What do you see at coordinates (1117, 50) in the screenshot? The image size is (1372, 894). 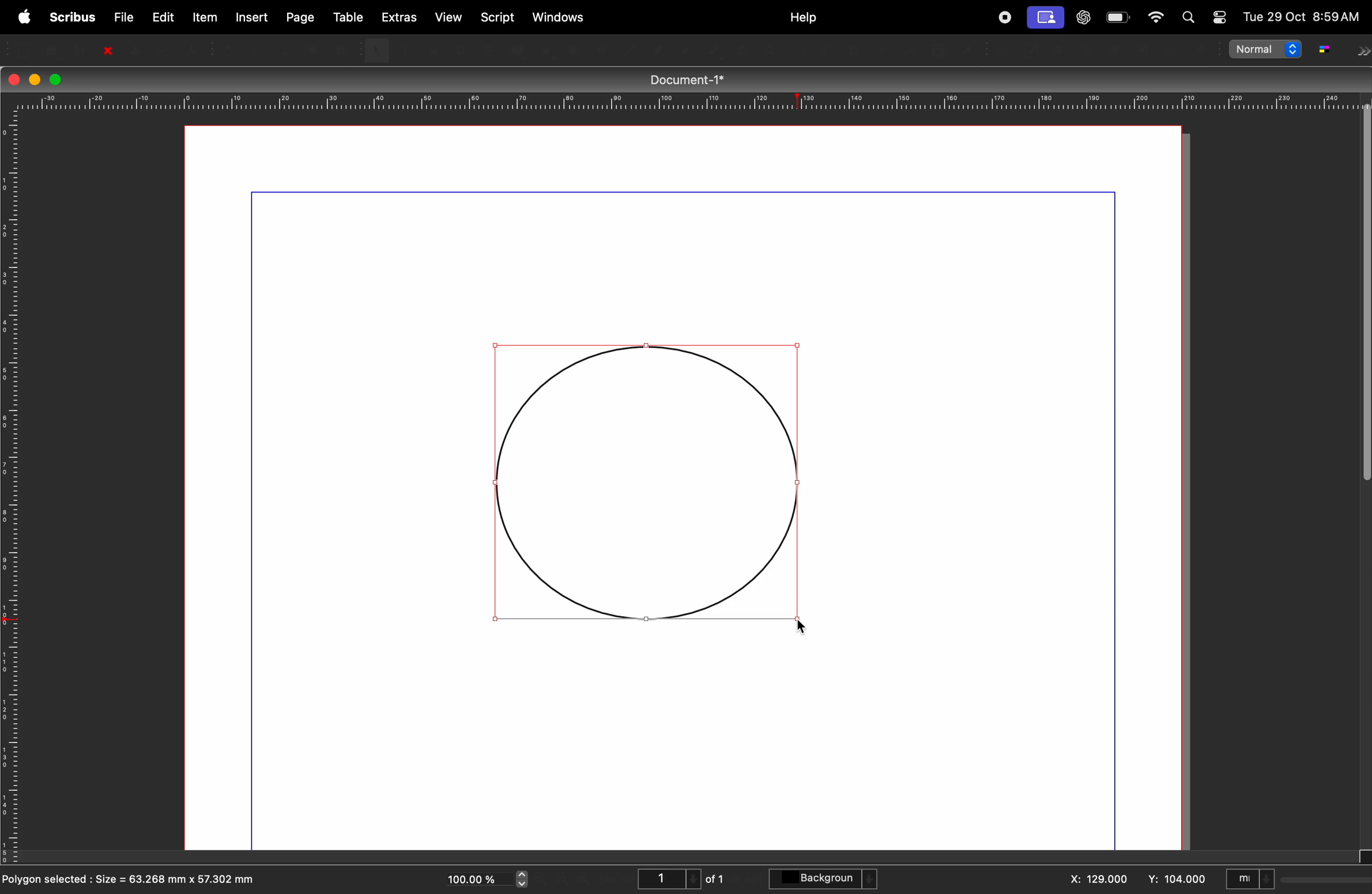 I see `PDF combo box` at bounding box center [1117, 50].